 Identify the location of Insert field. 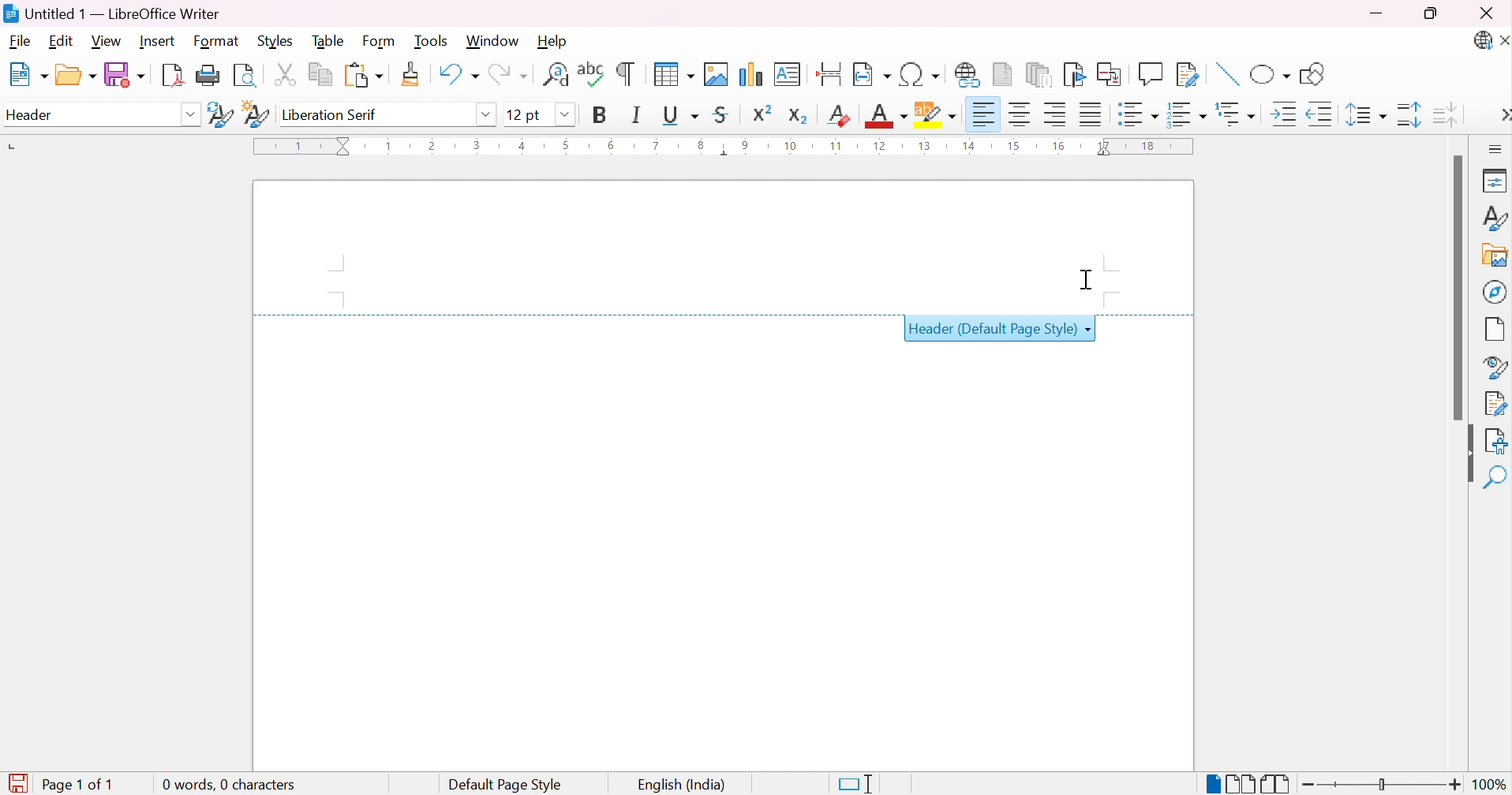
(871, 73).